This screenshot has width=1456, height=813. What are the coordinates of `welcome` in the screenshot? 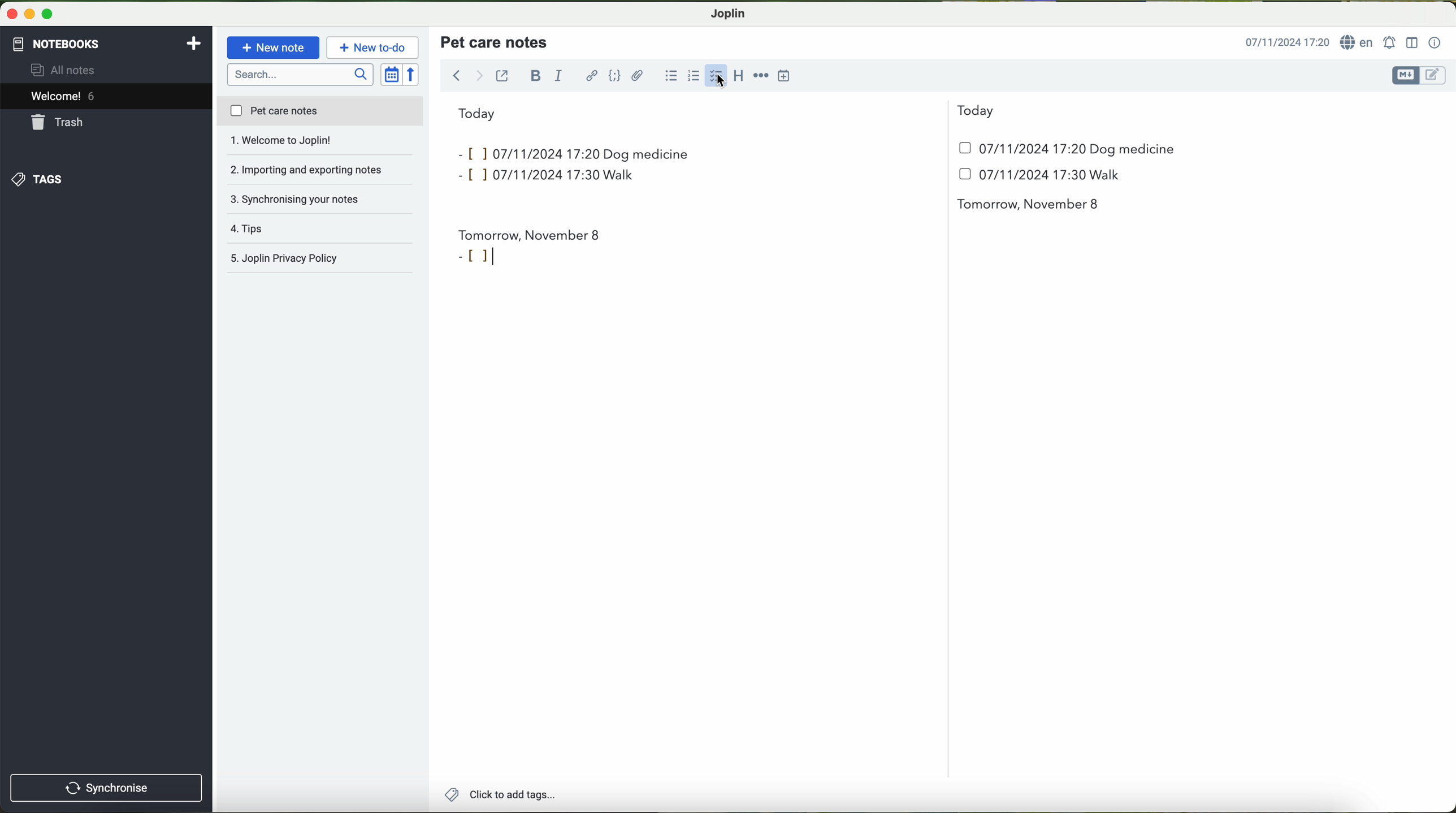 It's located at (106, 98).